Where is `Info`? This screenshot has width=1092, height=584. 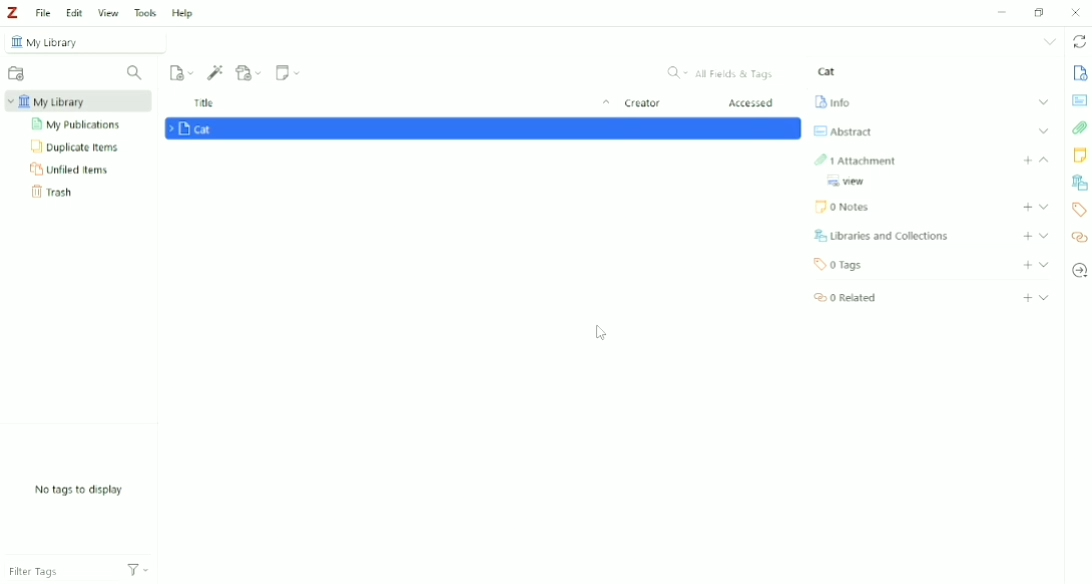
Info is located at coordinates (832, 100).